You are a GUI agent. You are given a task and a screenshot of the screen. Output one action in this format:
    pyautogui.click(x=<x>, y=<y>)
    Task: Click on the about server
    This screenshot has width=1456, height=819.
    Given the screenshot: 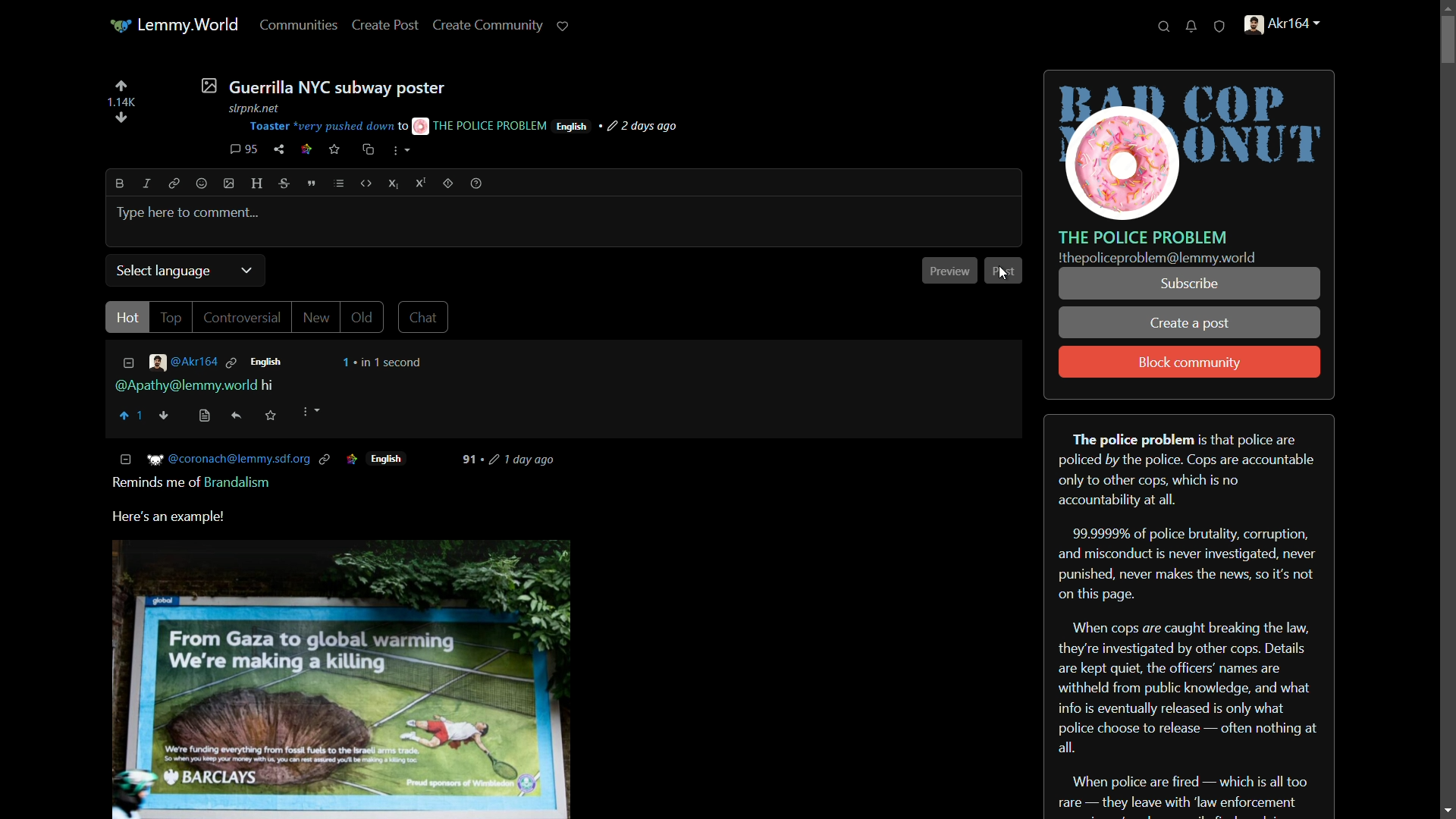 What is the action you would take?
    pyautogui.click(x=1191, y=615)
    